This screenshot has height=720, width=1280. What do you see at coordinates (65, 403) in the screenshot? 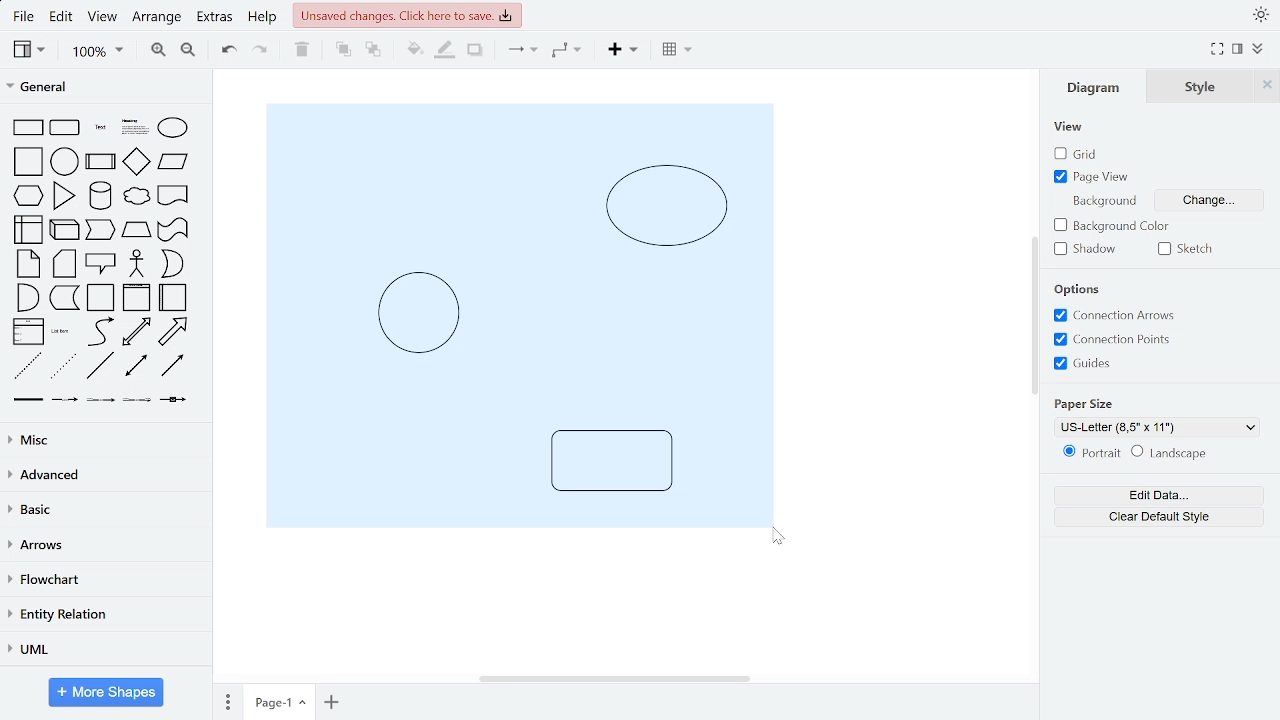
I see `Connector with label` at bounding box center [65, 403].